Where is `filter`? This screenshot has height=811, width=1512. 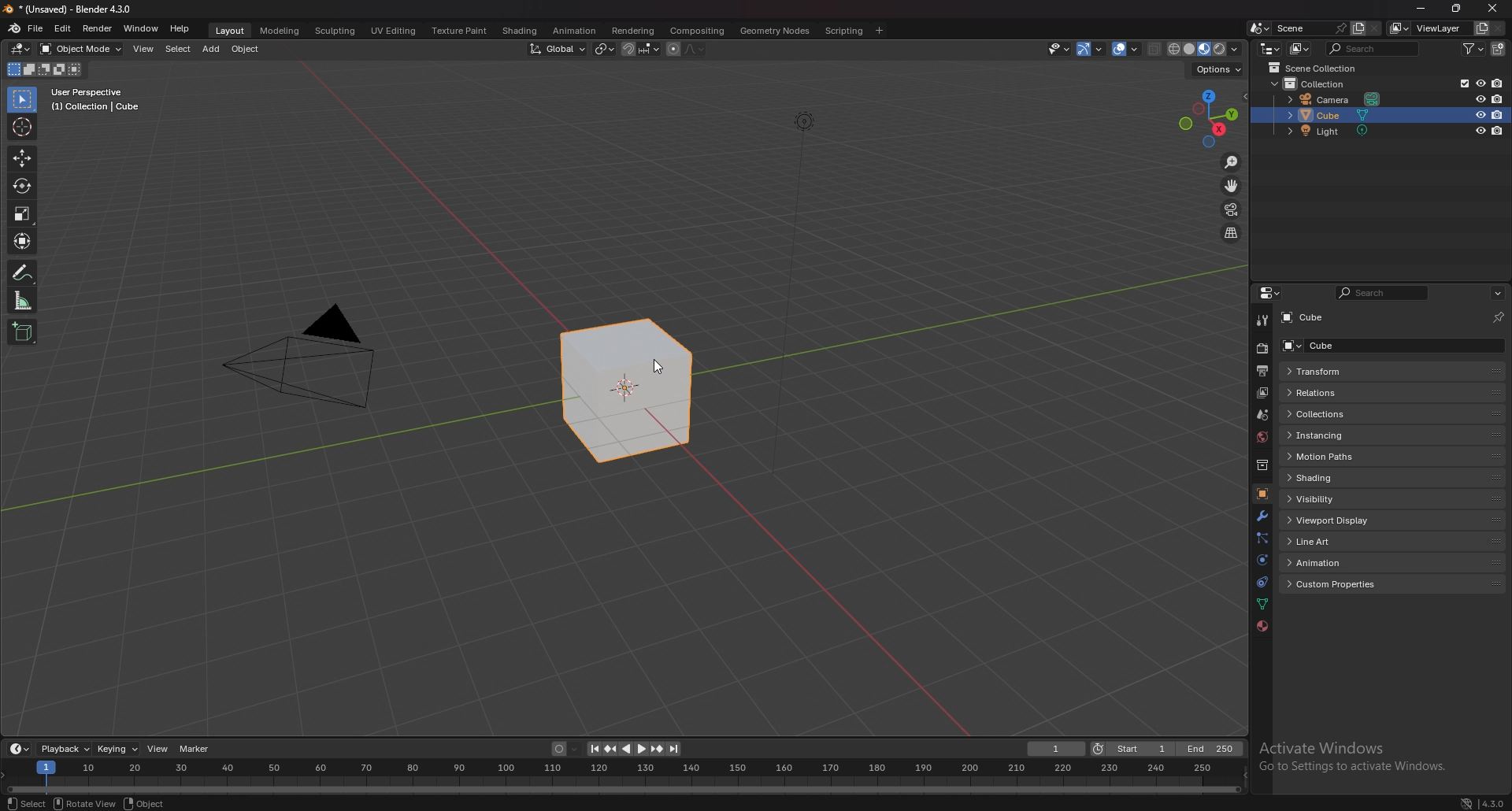
filter is located at coordinates (1473, 48).